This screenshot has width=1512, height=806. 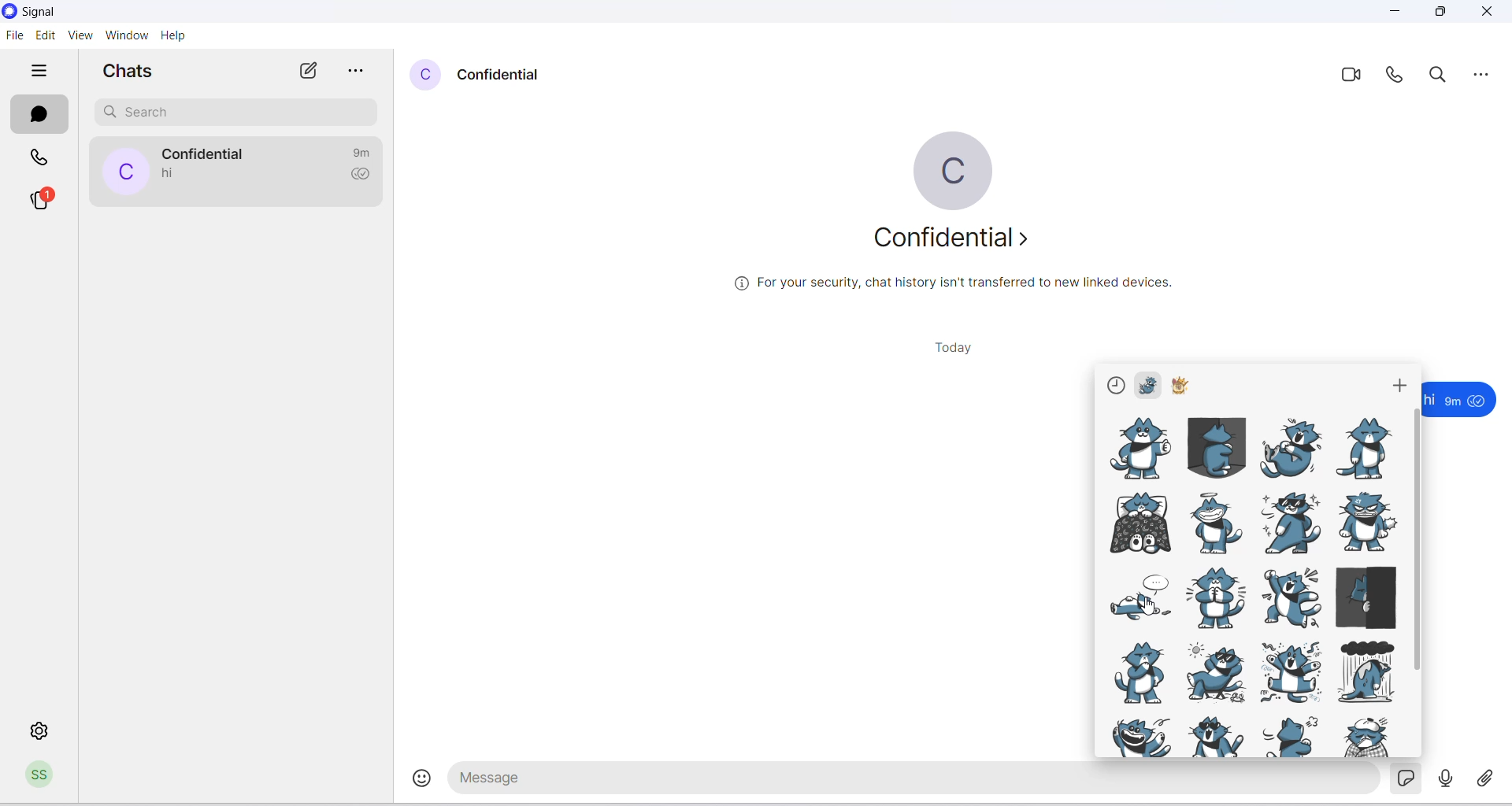 What do you see at coordinates (1479, 401) in the screenshot?
I see `seen` at bounding box center [1479, 401].